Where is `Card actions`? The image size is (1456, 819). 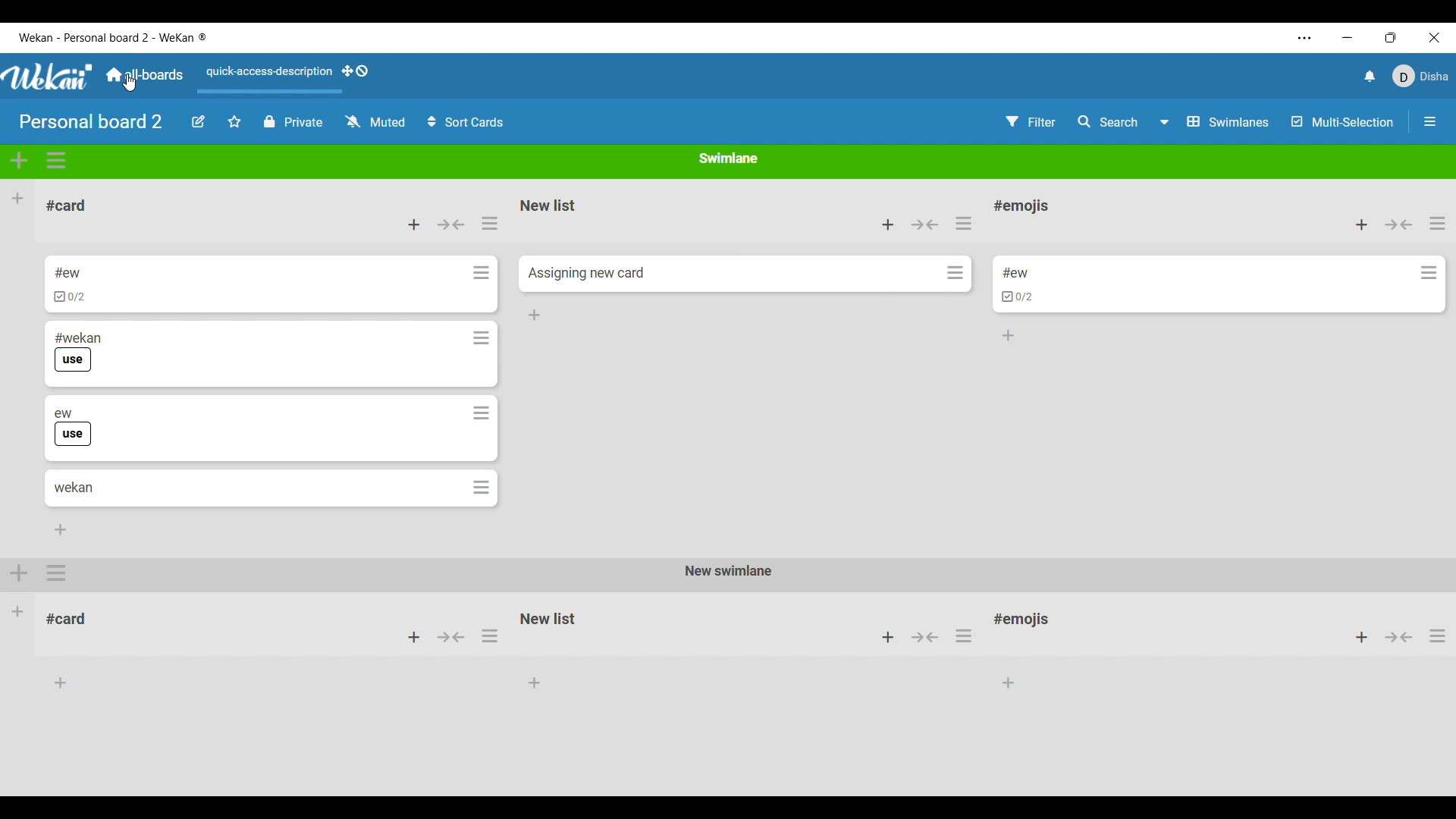
Card actions is located at coordinates (481, 337).